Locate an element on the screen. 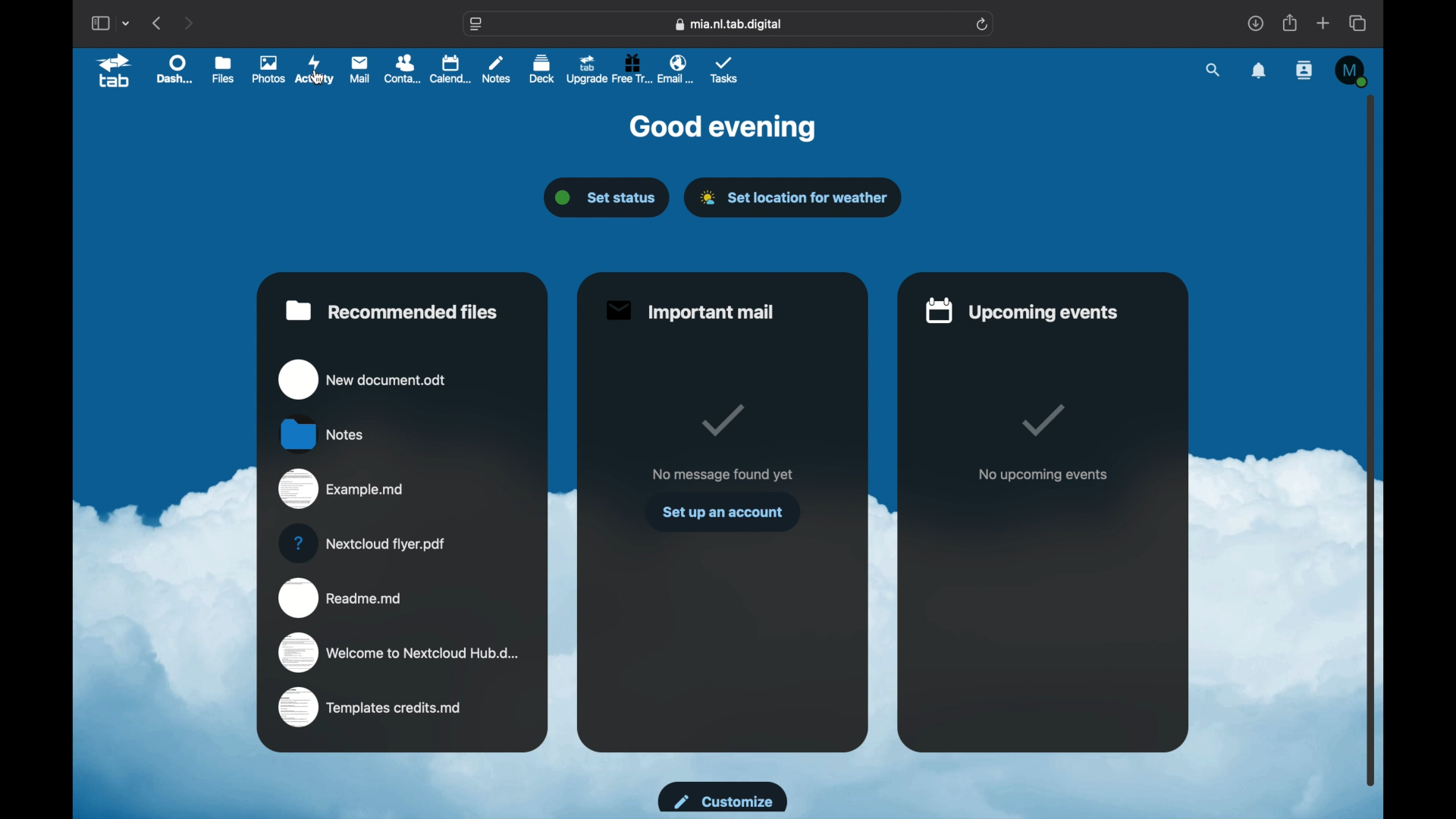 This screenshot has width=1456, height=819. website settings is located at coordinates (476, 24).